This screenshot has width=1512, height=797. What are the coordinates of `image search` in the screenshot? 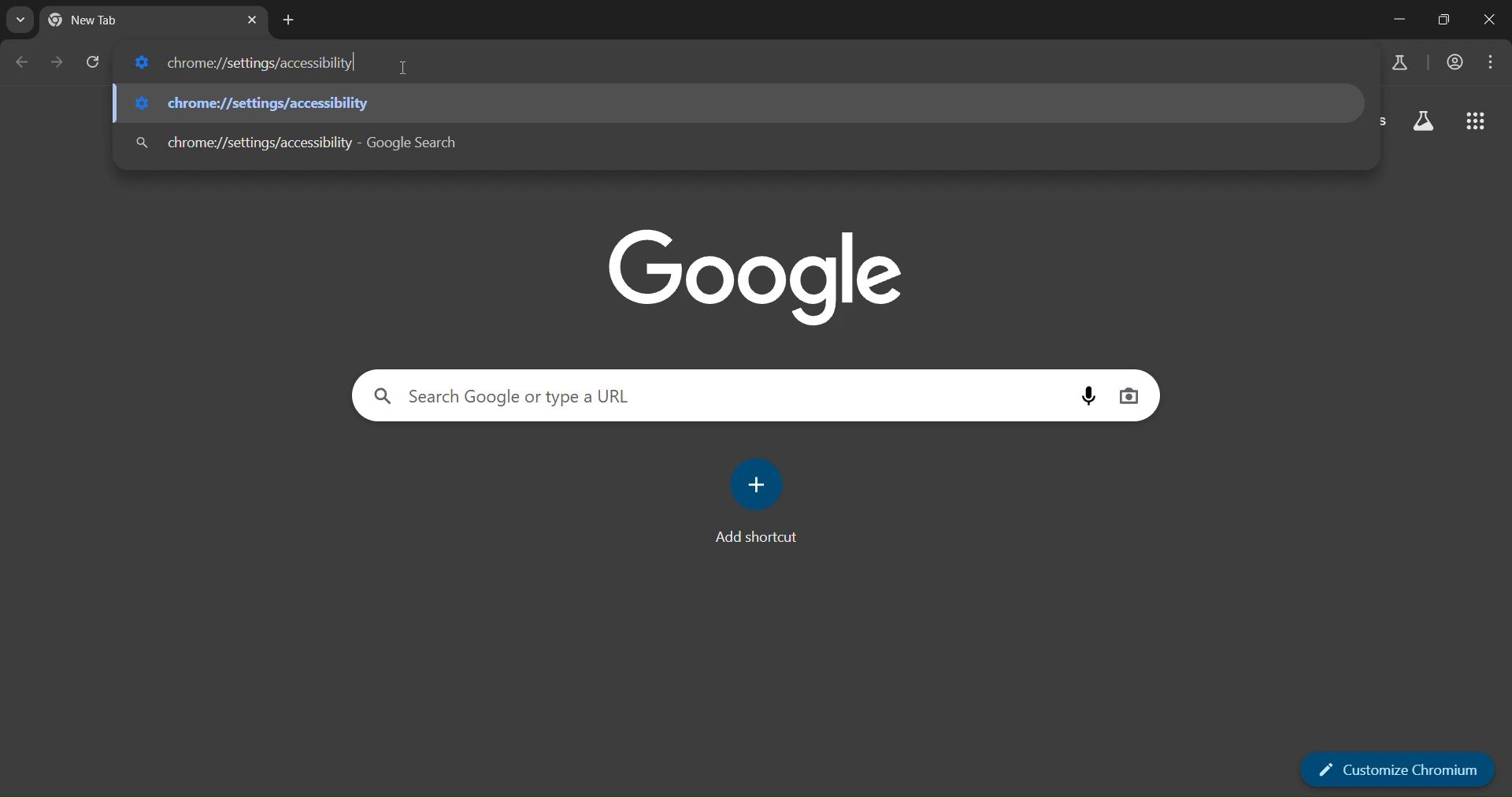 It's located at (1130, 393).